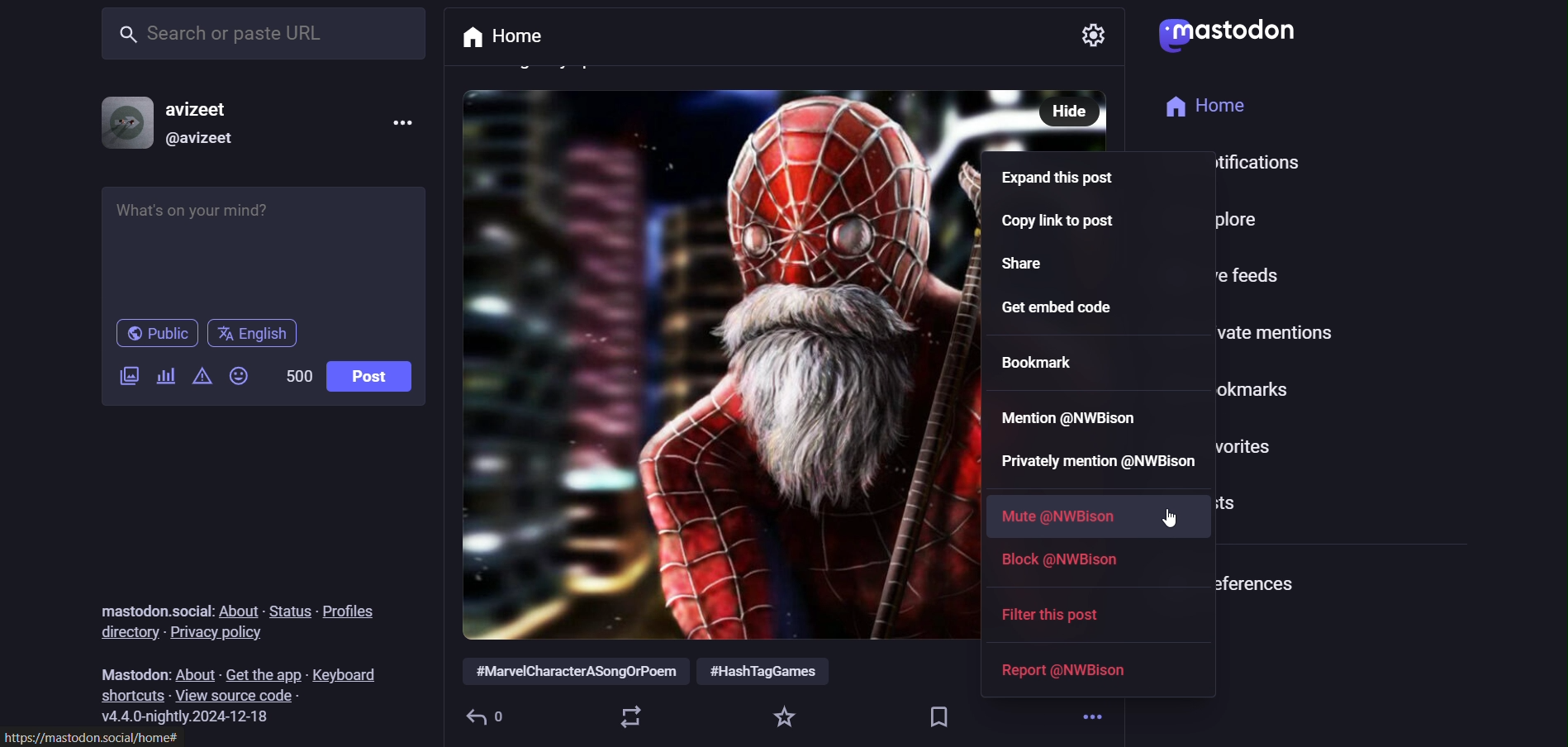 The width and height of the screenshot is (1568, 747). Describe the element at coordinates (125, 633) in the screenshot. I see `directory` at that location.